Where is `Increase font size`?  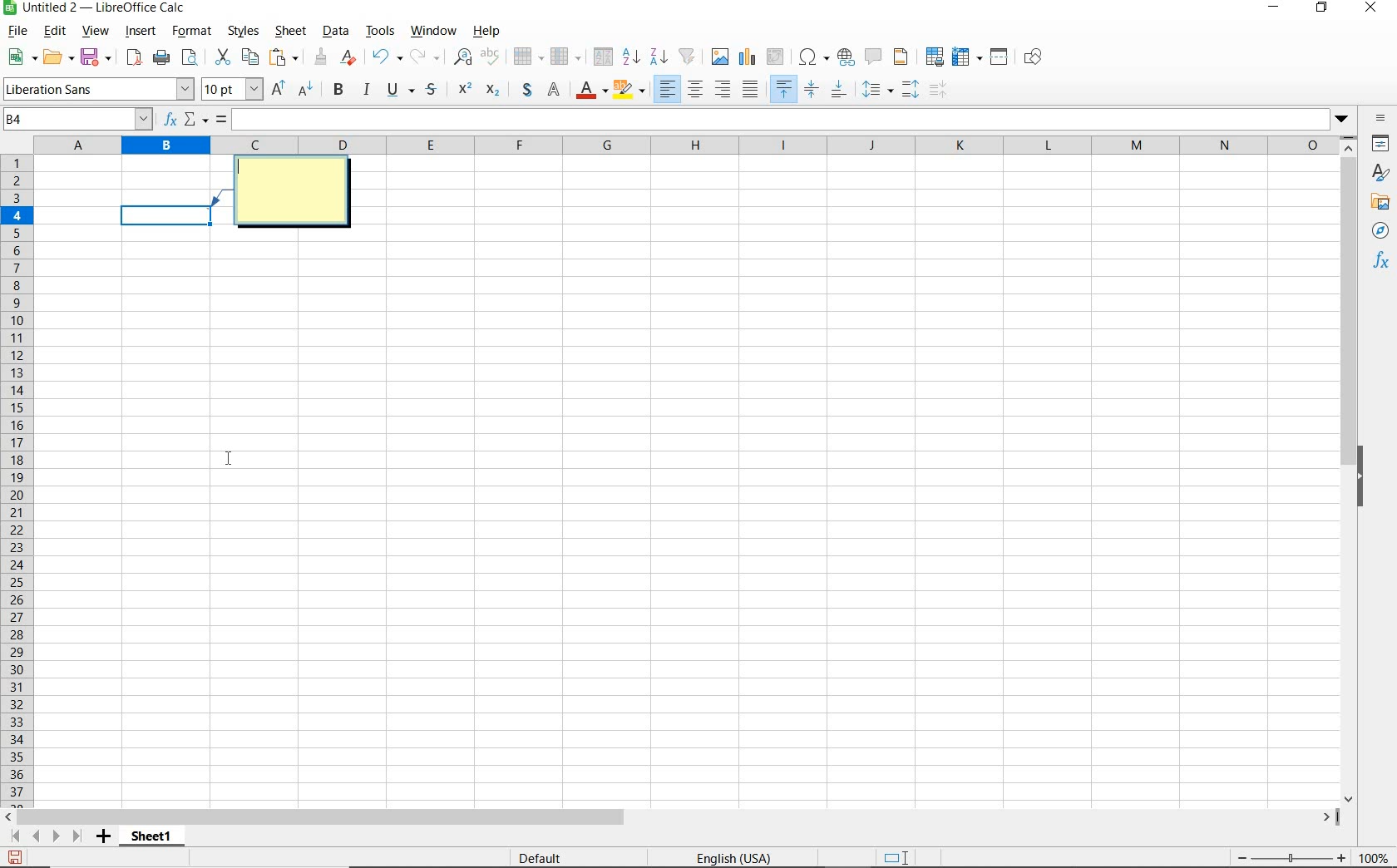 Increase font size is located at coordinates (279, 89).